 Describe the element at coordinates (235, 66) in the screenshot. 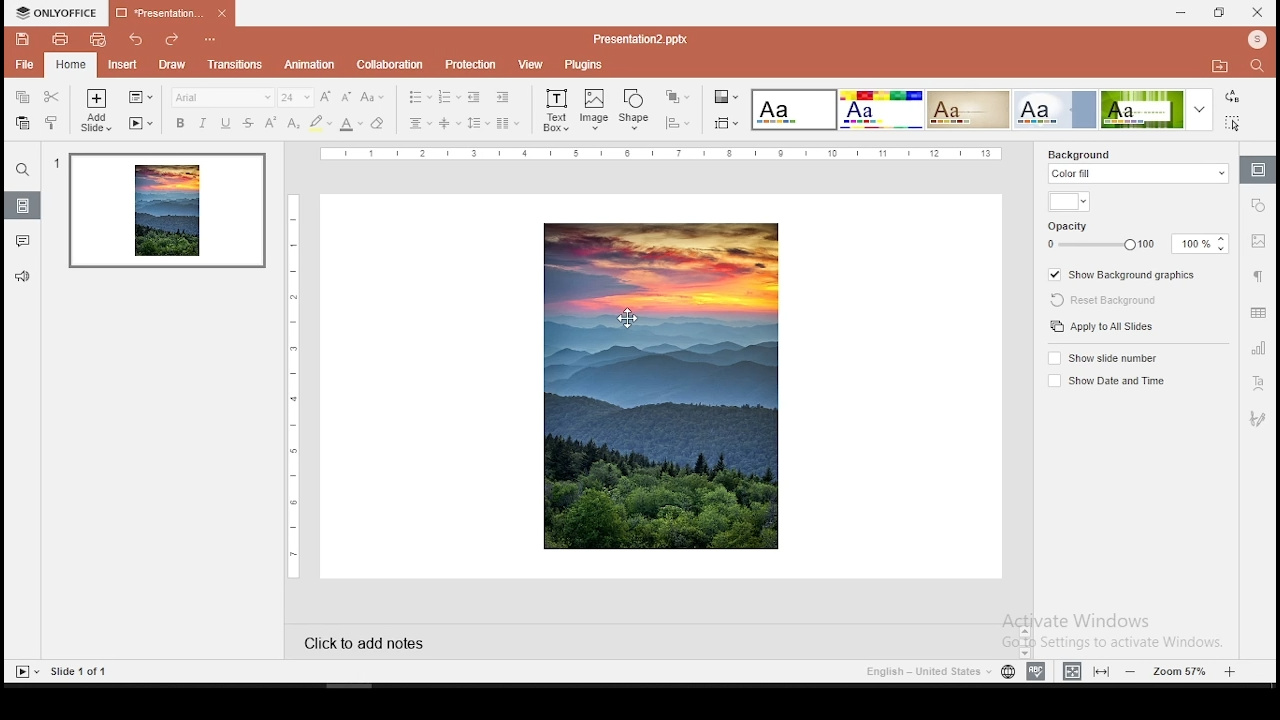

I see `transitions` at that location.